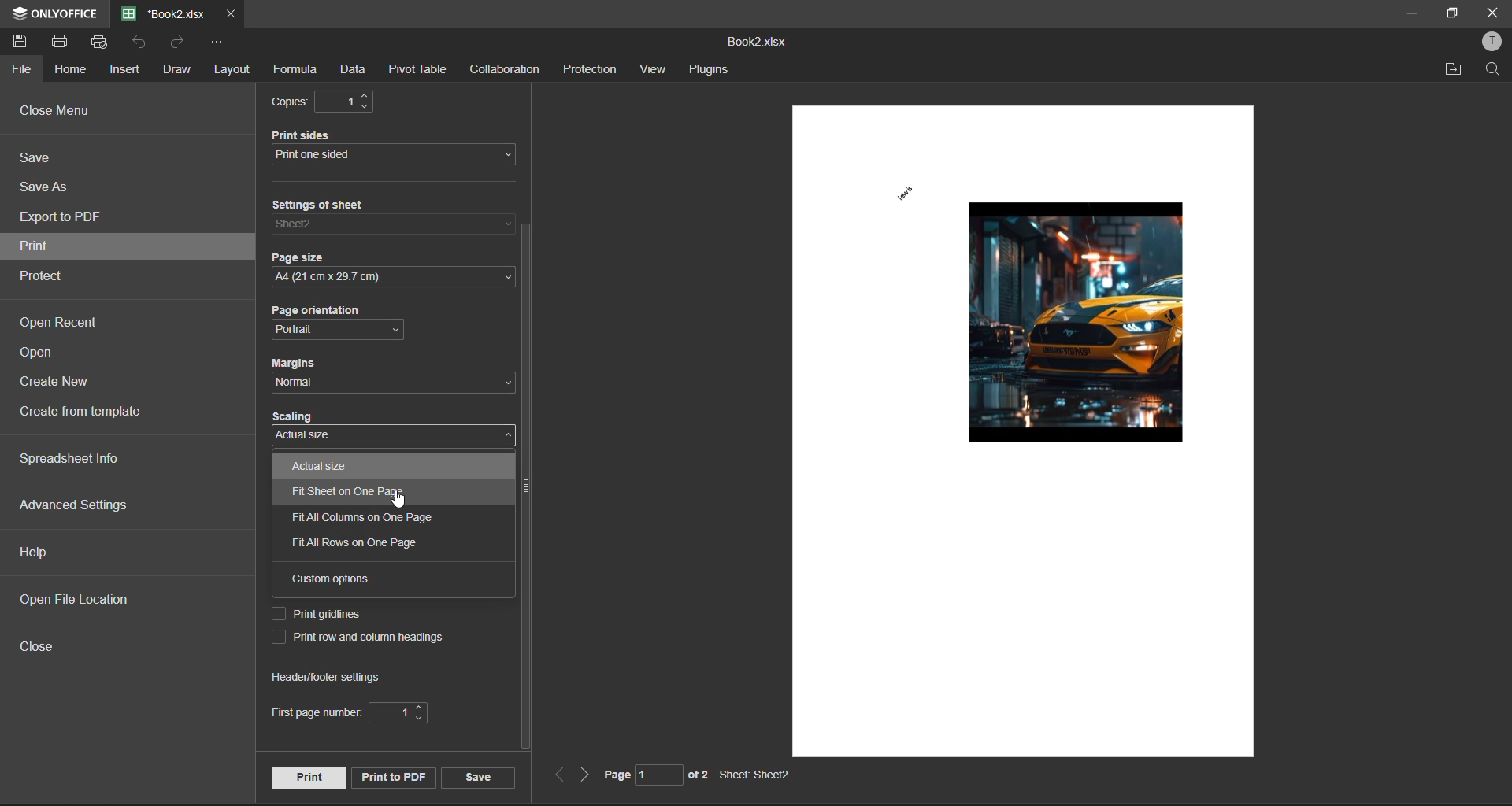 This screenshot has height=806, width=1512. What do you see at coordinates (127, 70) in the screenshot?
I see `insert` at bounding box center [127, 70].